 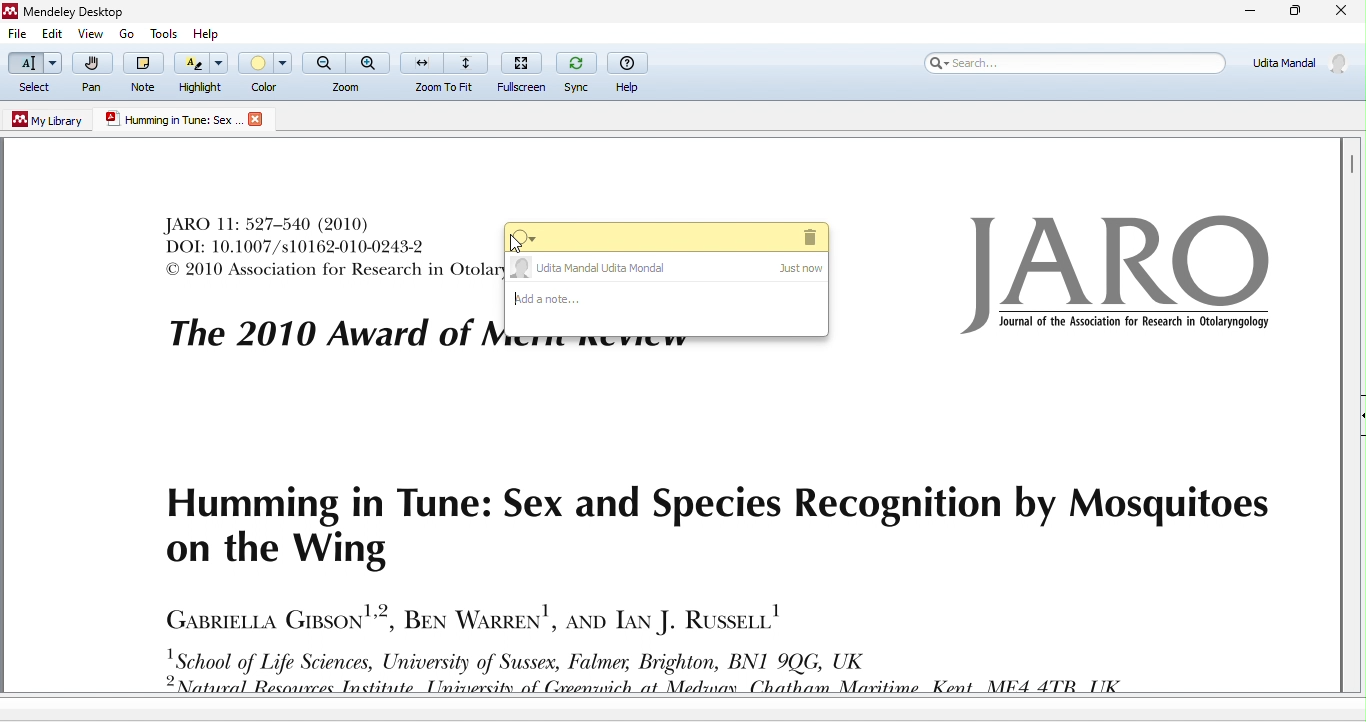 I want to click on journal text, so click(x=746, y=583).